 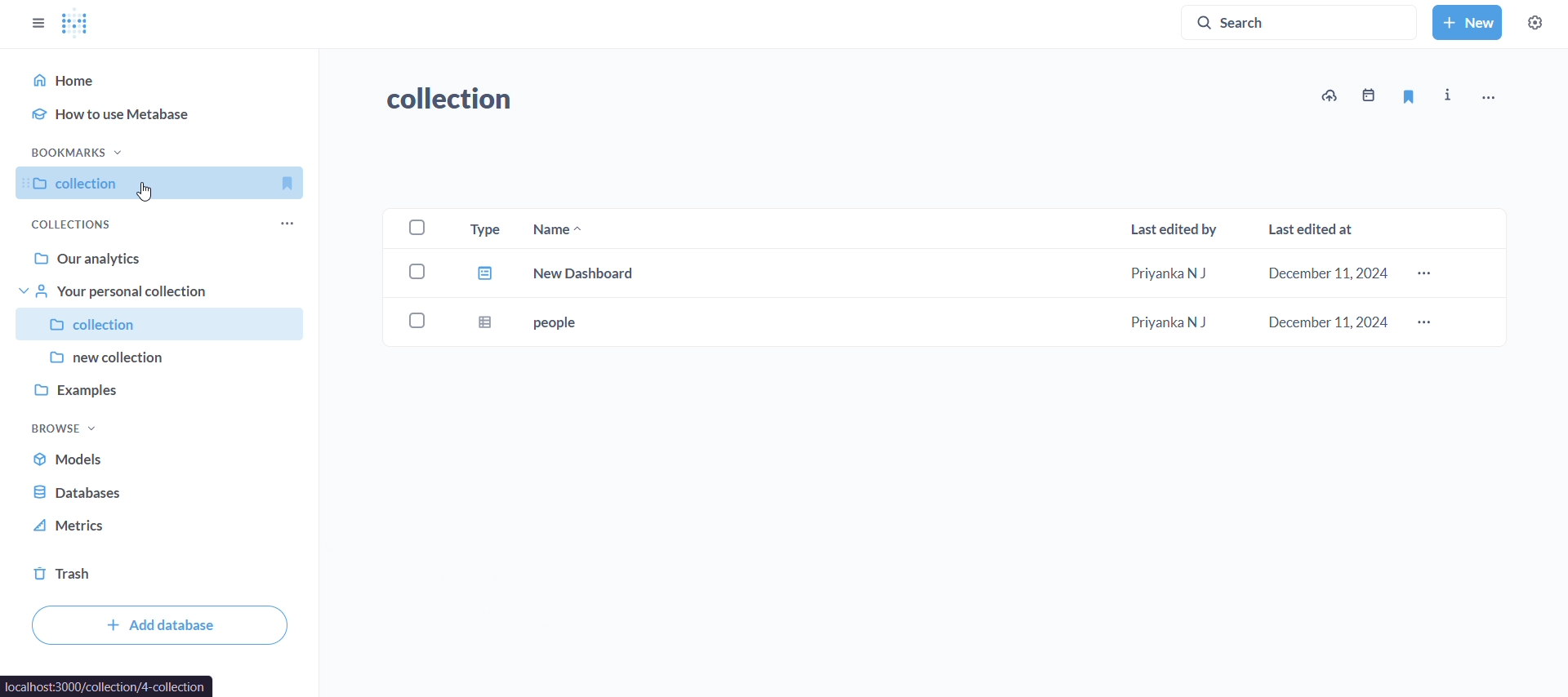 I want to click on collections, so click(x=69, y=224).